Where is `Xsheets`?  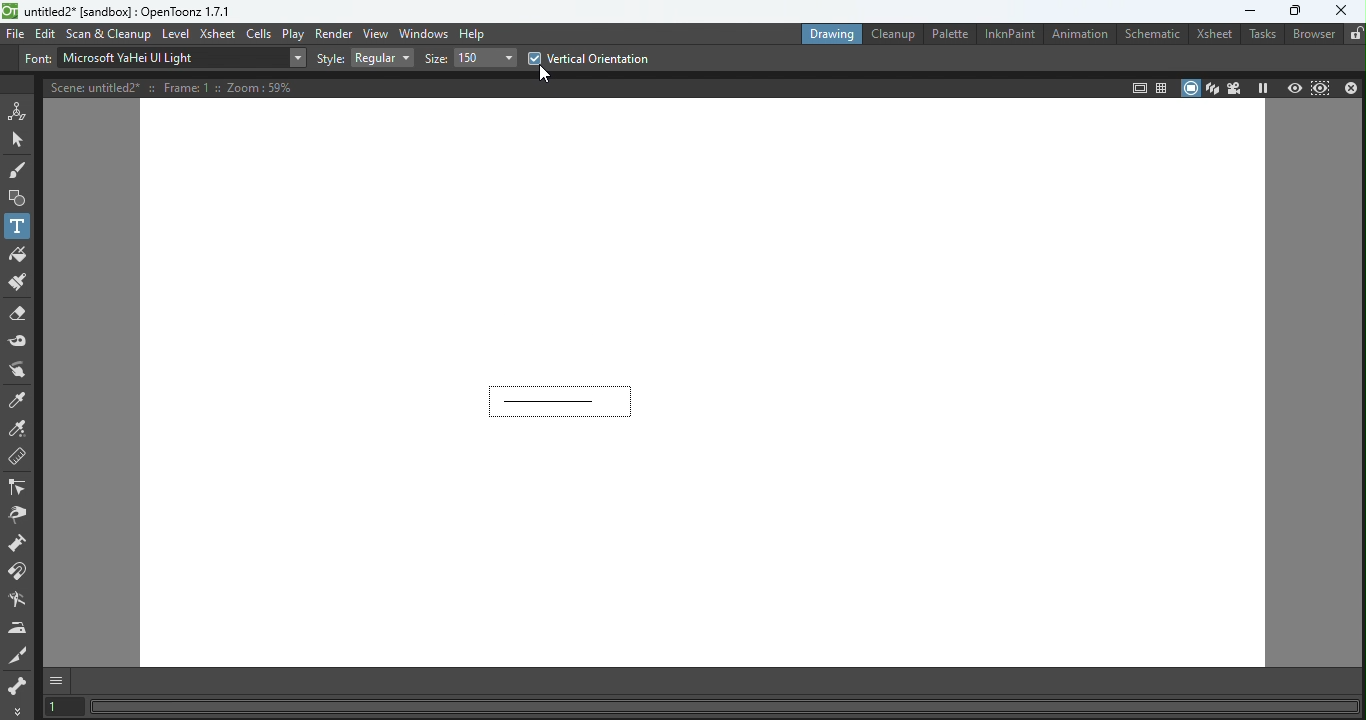 Xsheets is located at coordinates (1211, 34).